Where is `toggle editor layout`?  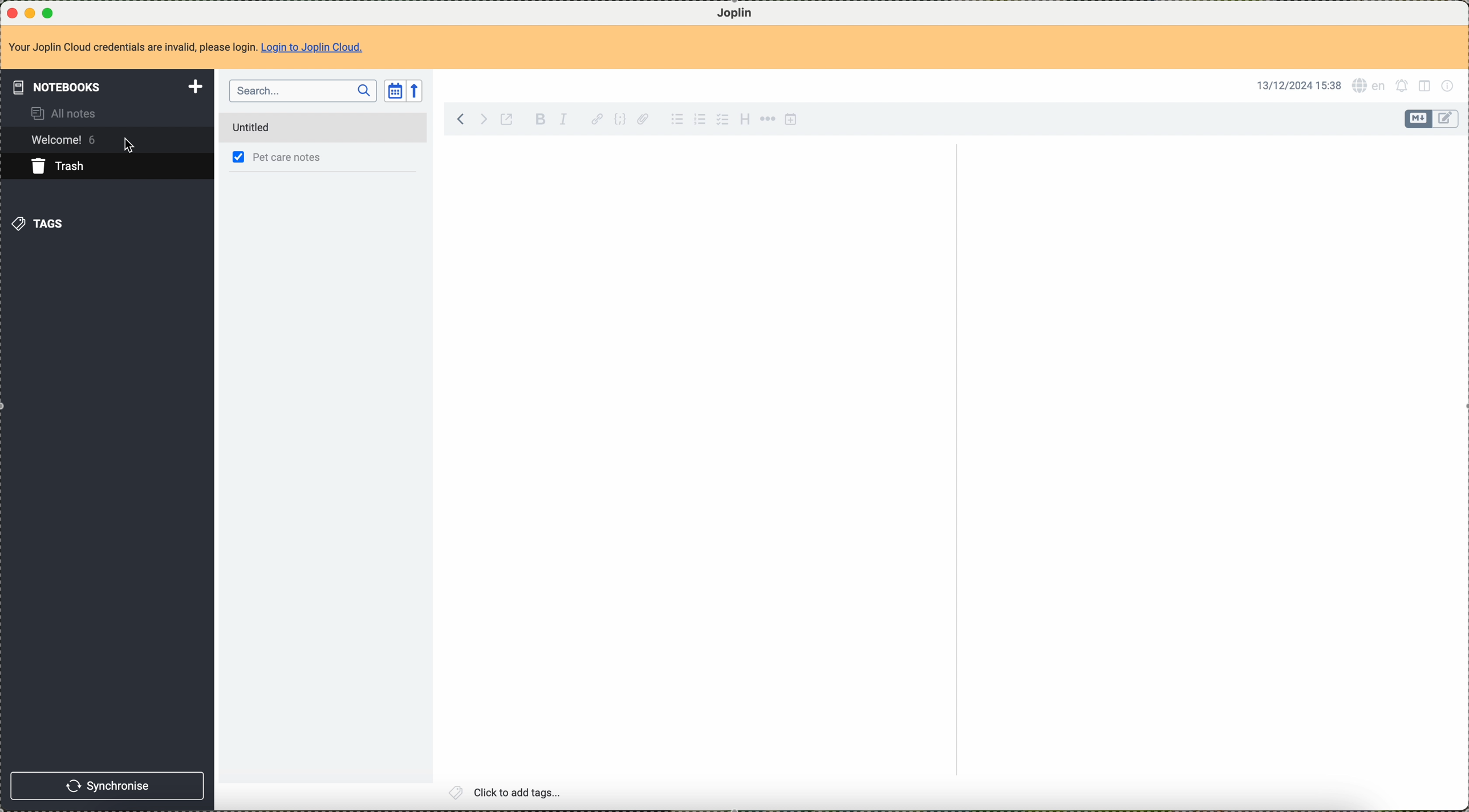
toggle editor layout is located at coordinates (1427, 87).